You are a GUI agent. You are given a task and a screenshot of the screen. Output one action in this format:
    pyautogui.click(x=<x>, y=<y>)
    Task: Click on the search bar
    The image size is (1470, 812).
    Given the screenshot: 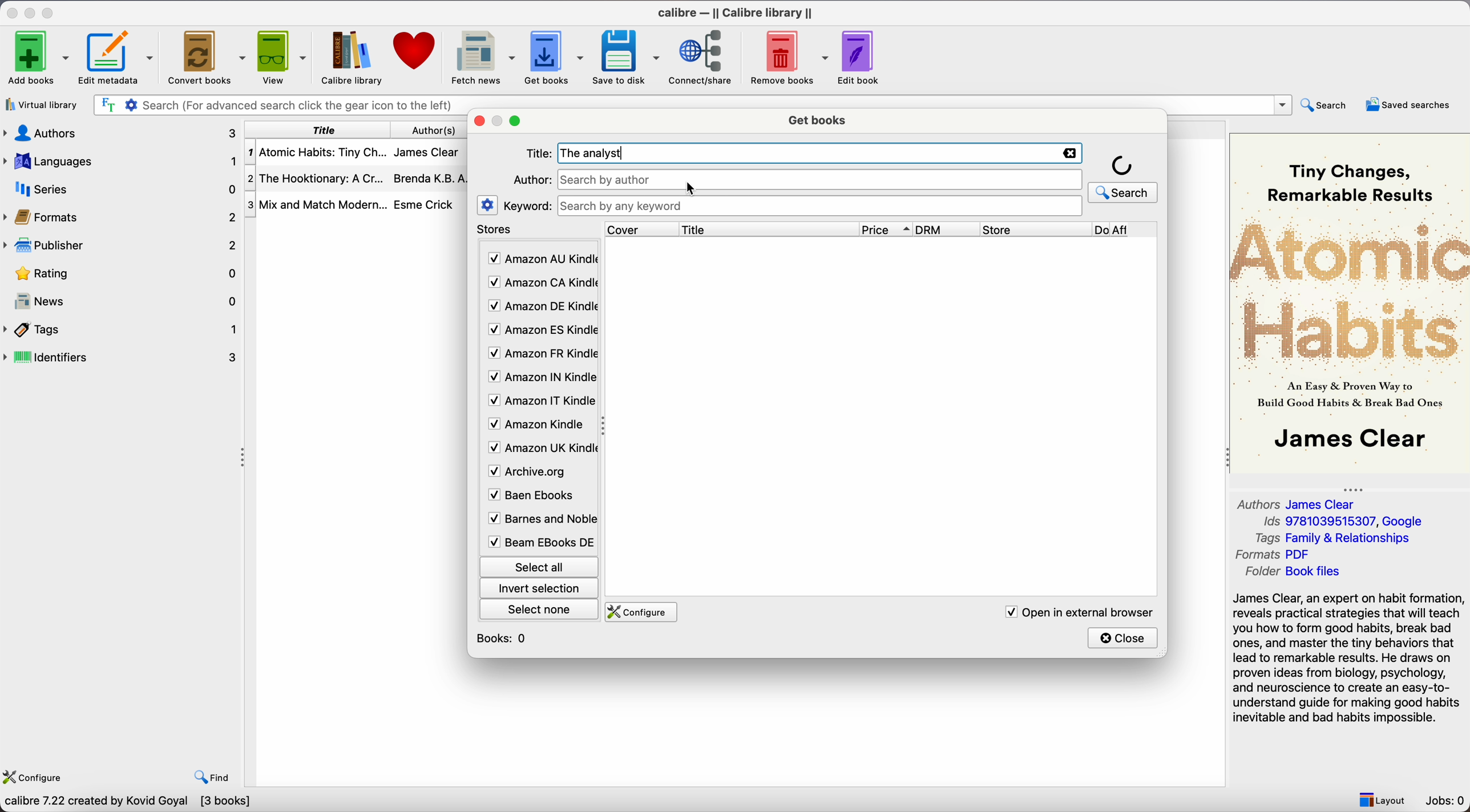 What is the action you would take?
    pyautogui.click(x=820, y=180)
    